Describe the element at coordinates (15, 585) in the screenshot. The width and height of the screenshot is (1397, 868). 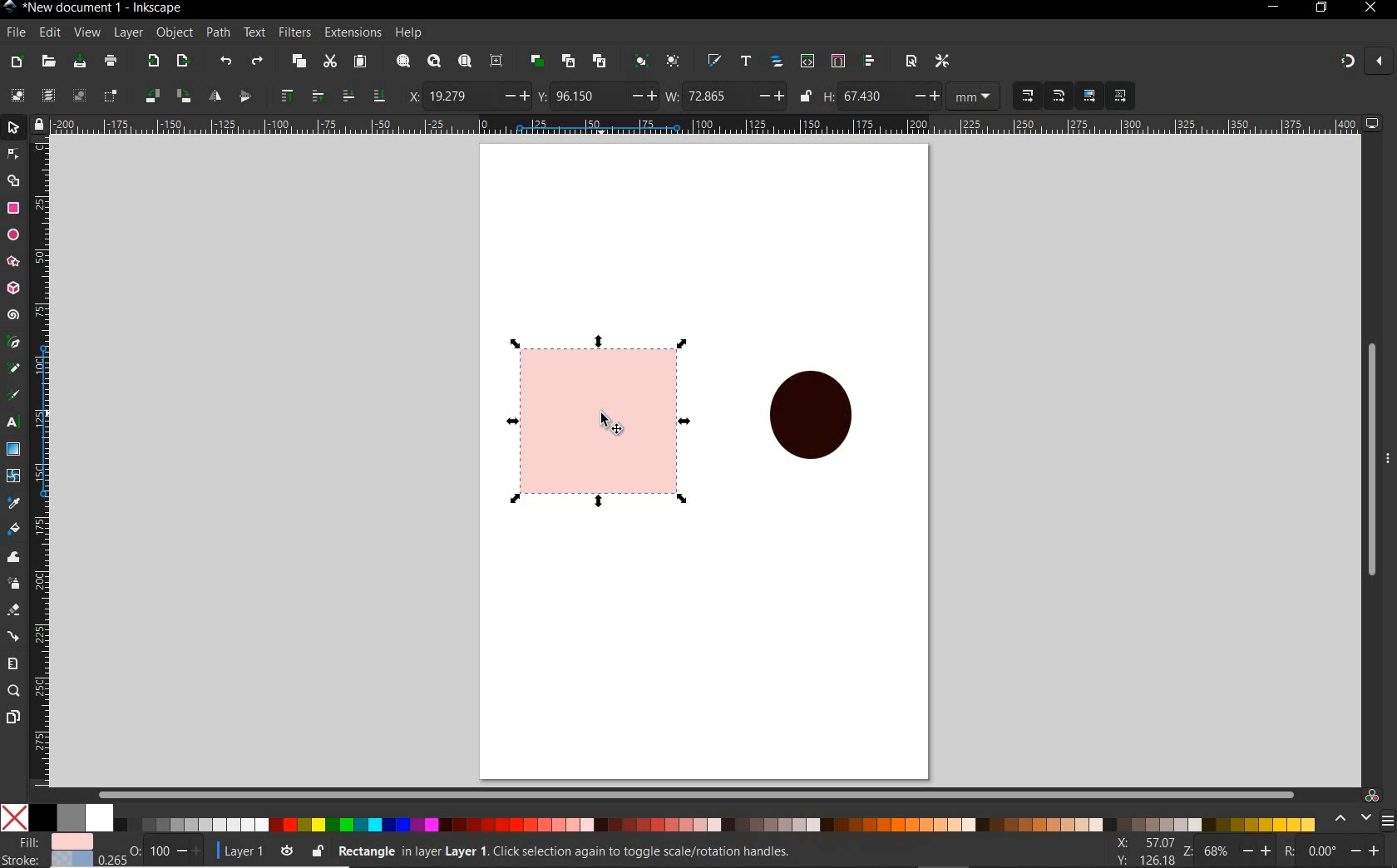
I see `spray tool` at that location.